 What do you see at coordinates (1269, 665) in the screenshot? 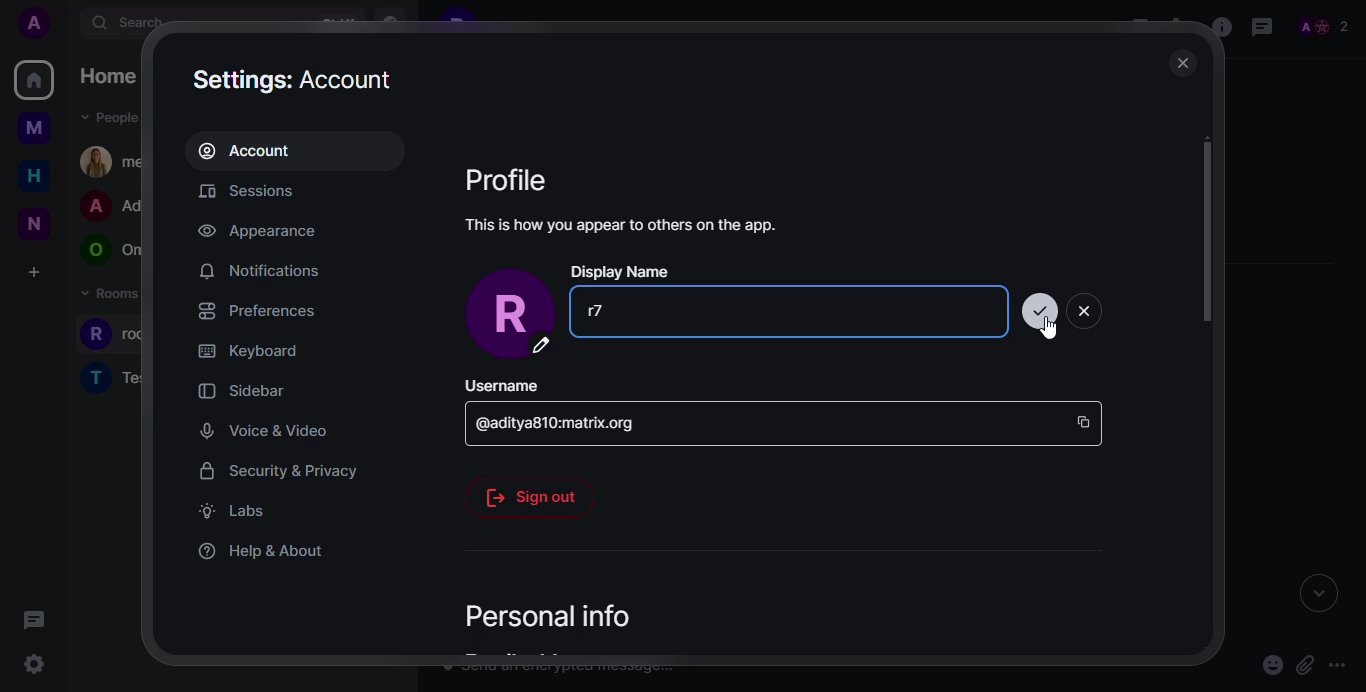
I see `emoji` at bounding box center [1269, 665].